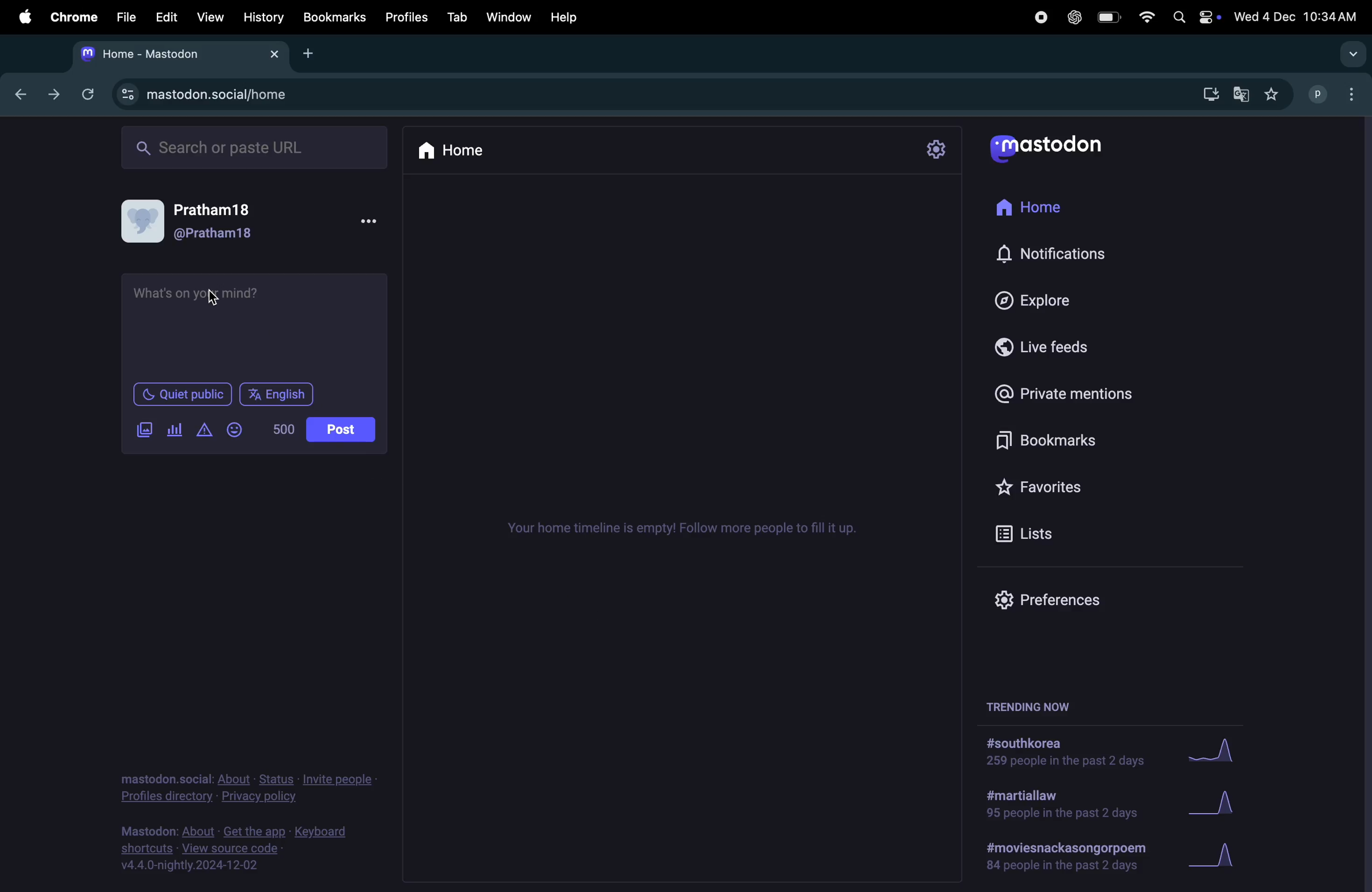 This screenshot has width=1372, height=892. Describe the element at coordinates (168, 17) in the screenshot. I see `Edit` at that location.